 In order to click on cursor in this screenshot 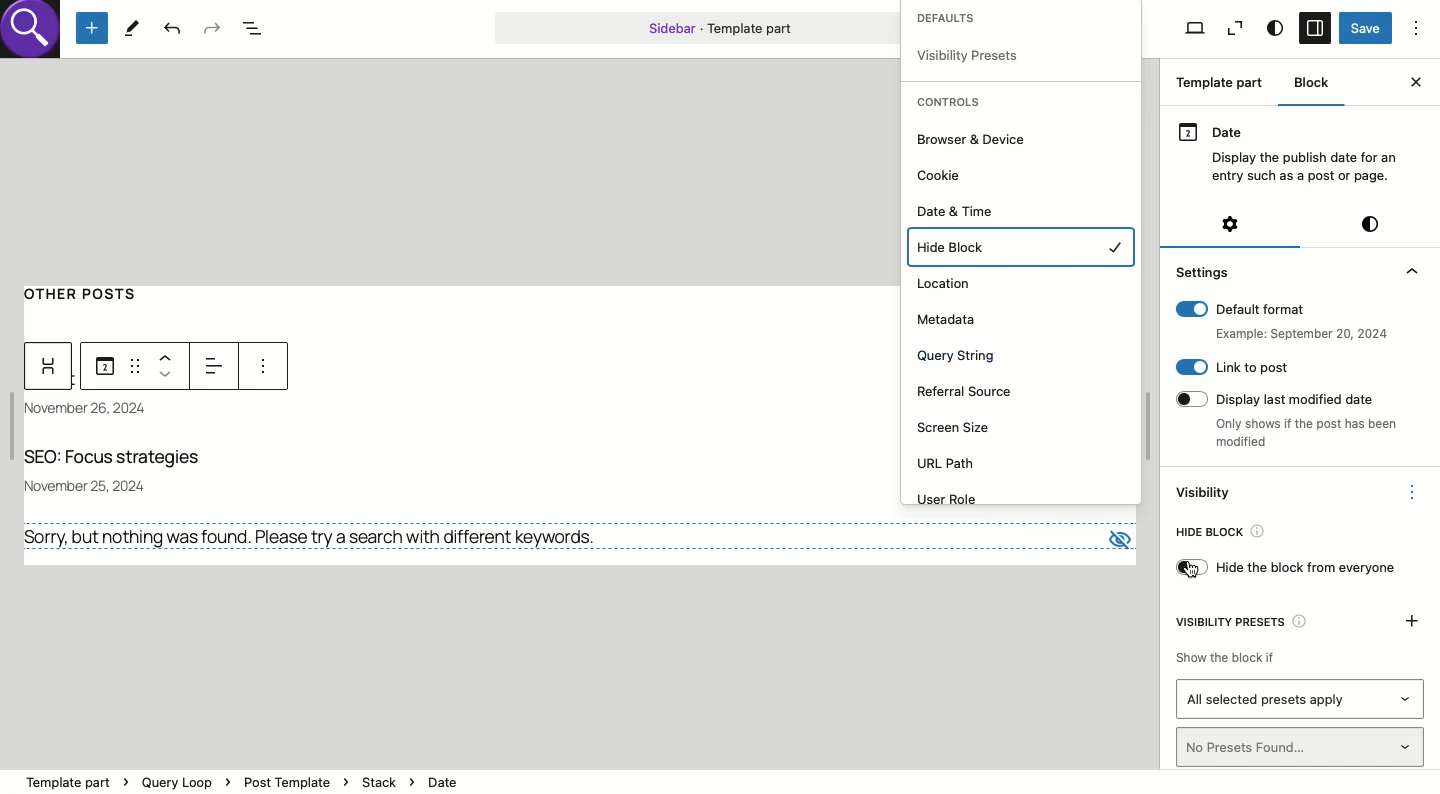, I will do `click(1190, 572)`.